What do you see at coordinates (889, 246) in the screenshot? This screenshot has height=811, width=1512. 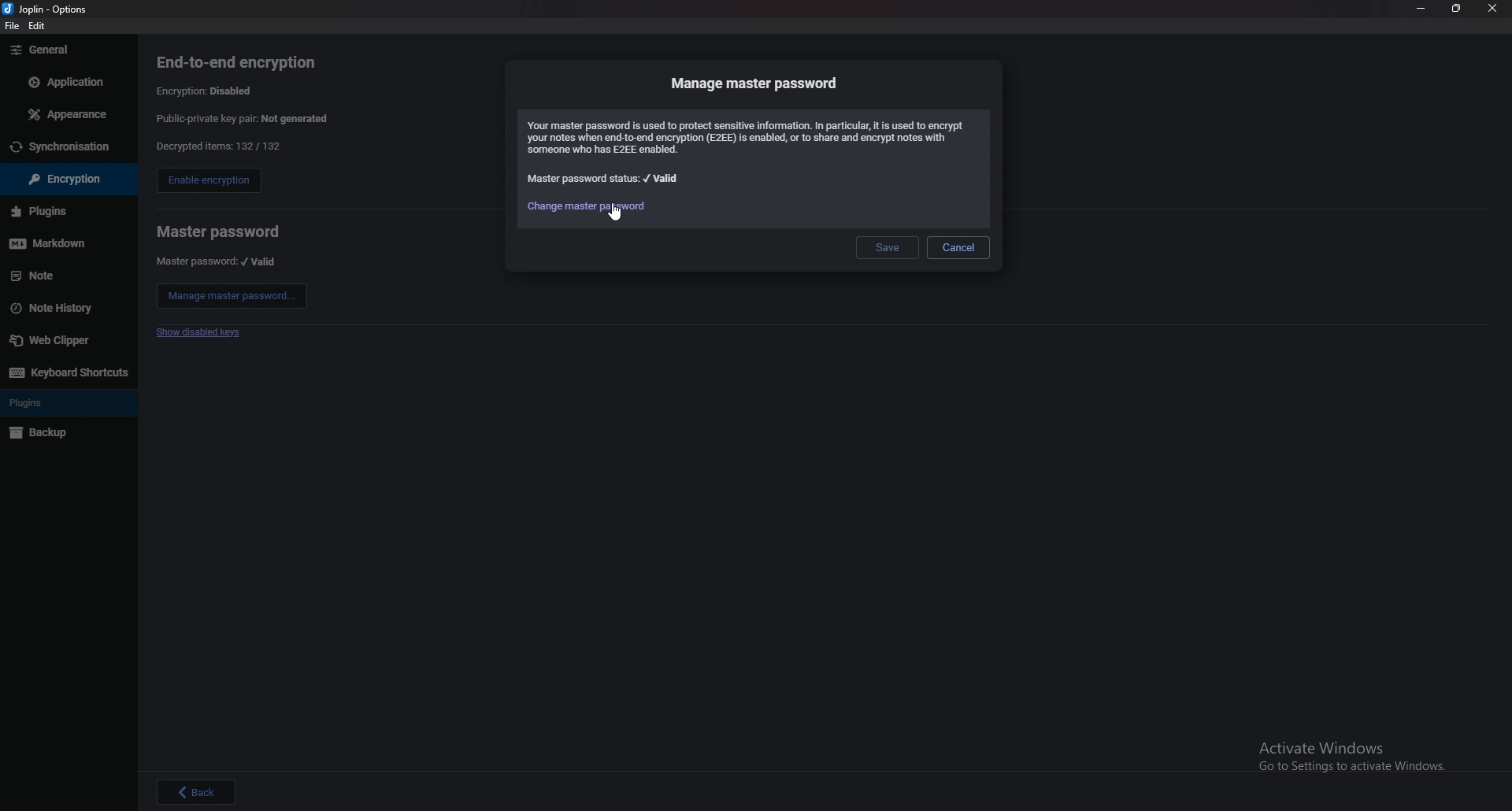 I see `save` at bounding box center [889, 246].